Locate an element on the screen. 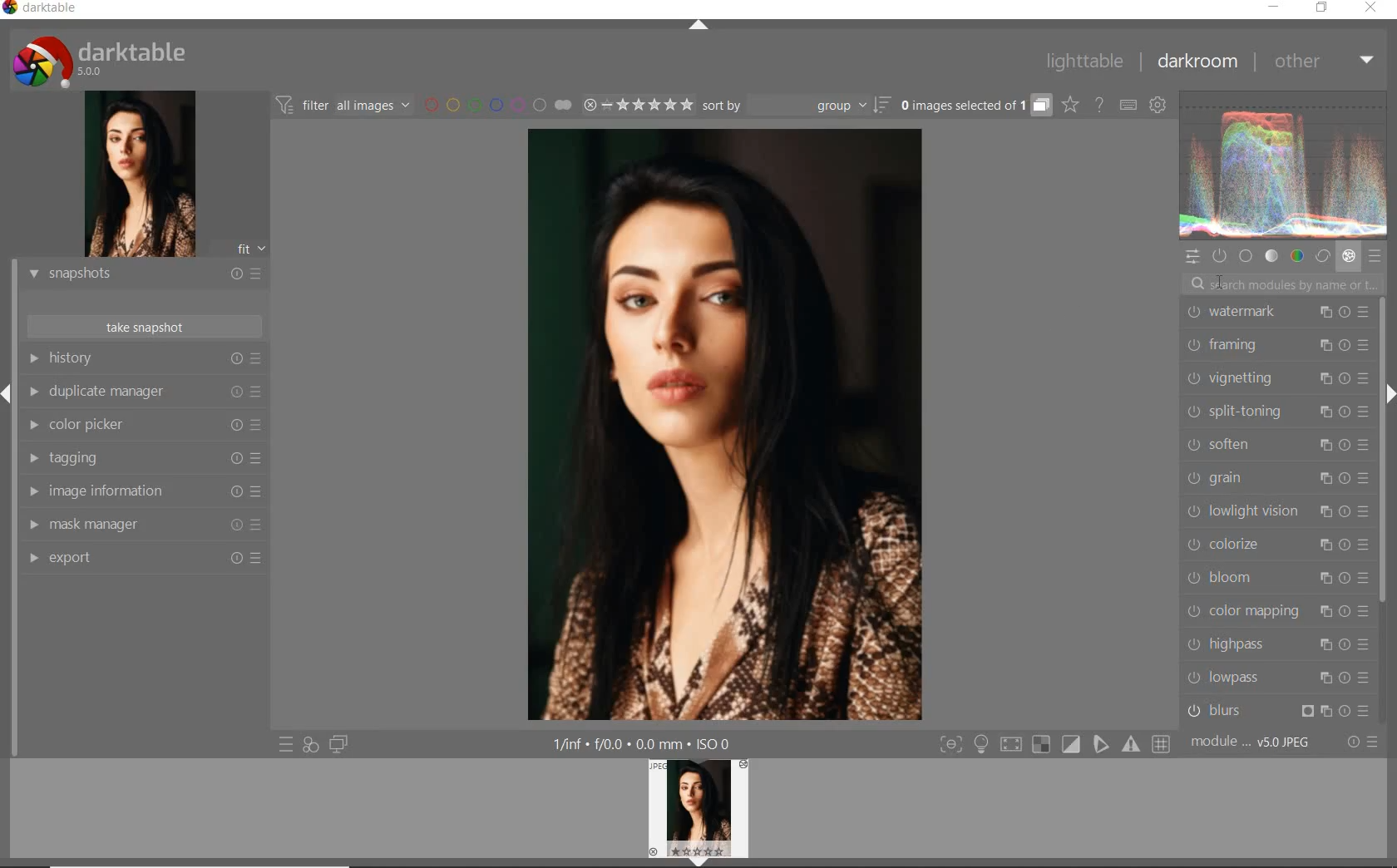 The width and height of the screenshot is (1397, 868). click to change overlays on thumbnails is located at coordinates (1071, 106).